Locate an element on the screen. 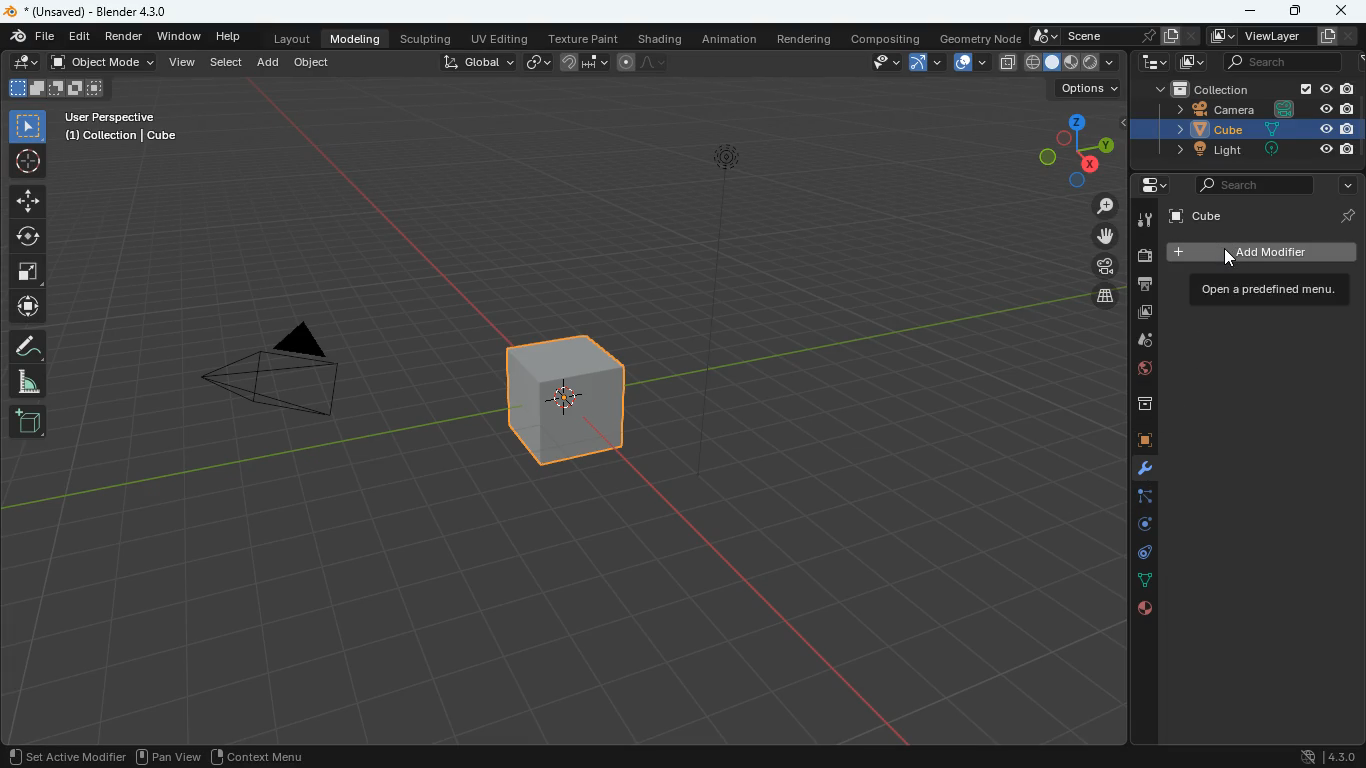   is located at coordinates (1306, 89).